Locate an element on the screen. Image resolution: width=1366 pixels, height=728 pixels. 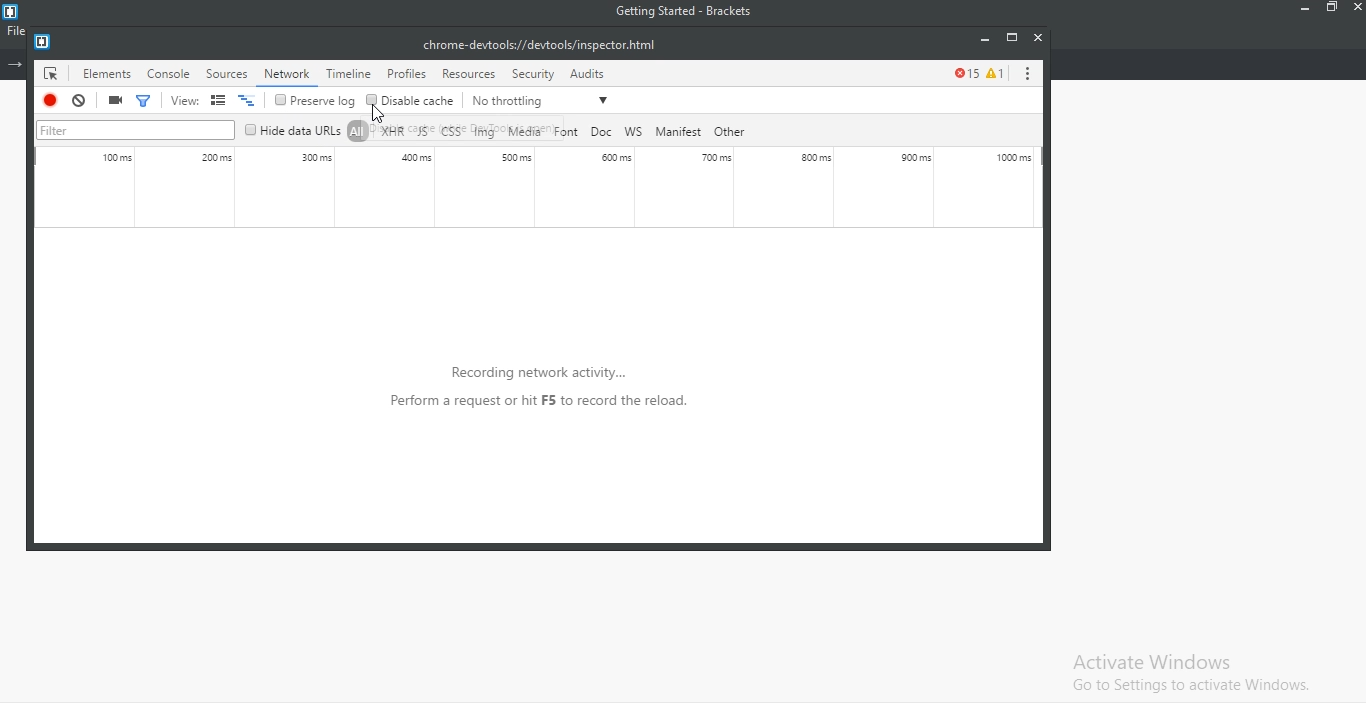
stop is located at coordinates (53, 100).